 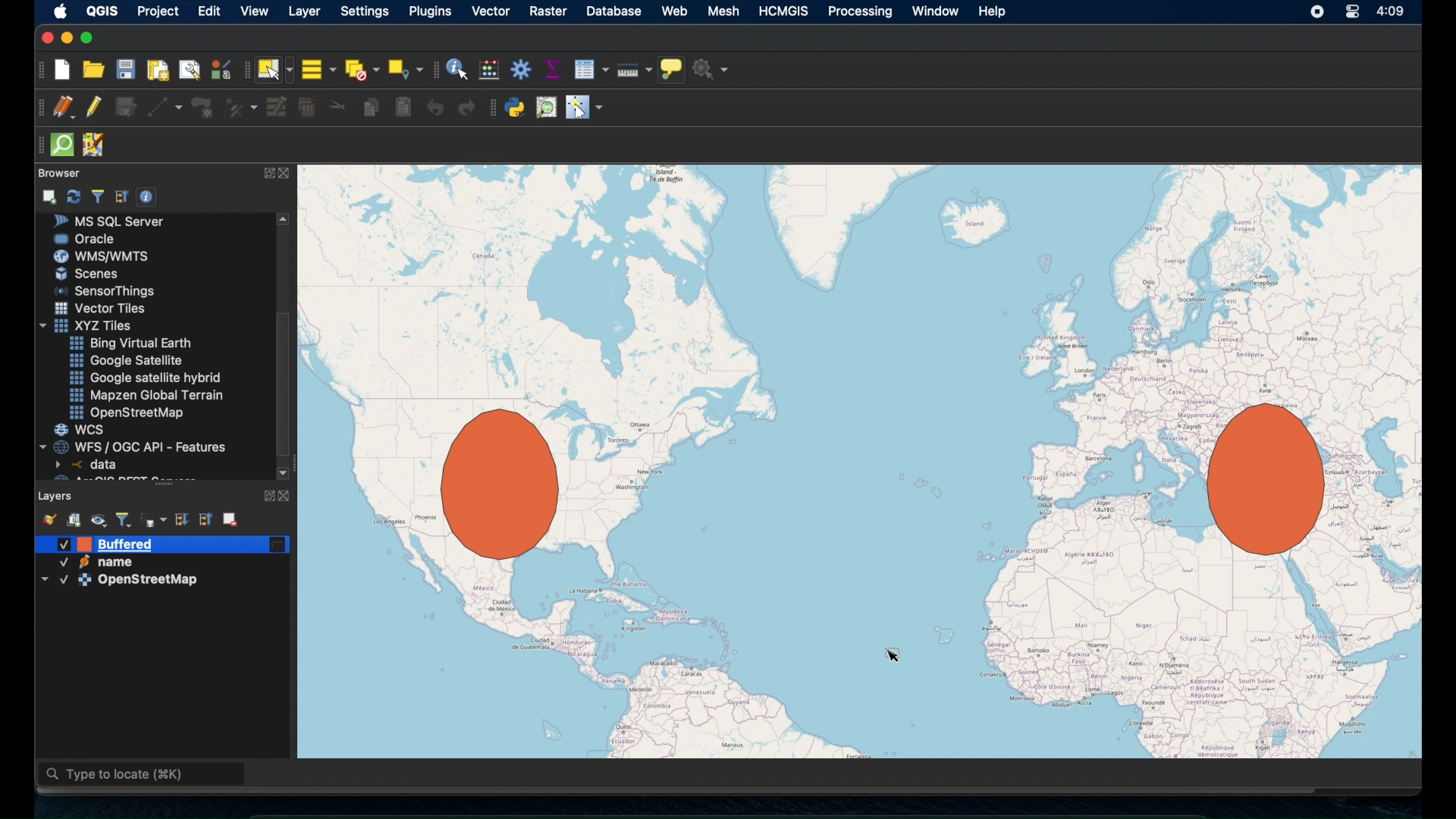 I want to click on identify features, so click(x=457, y=69).